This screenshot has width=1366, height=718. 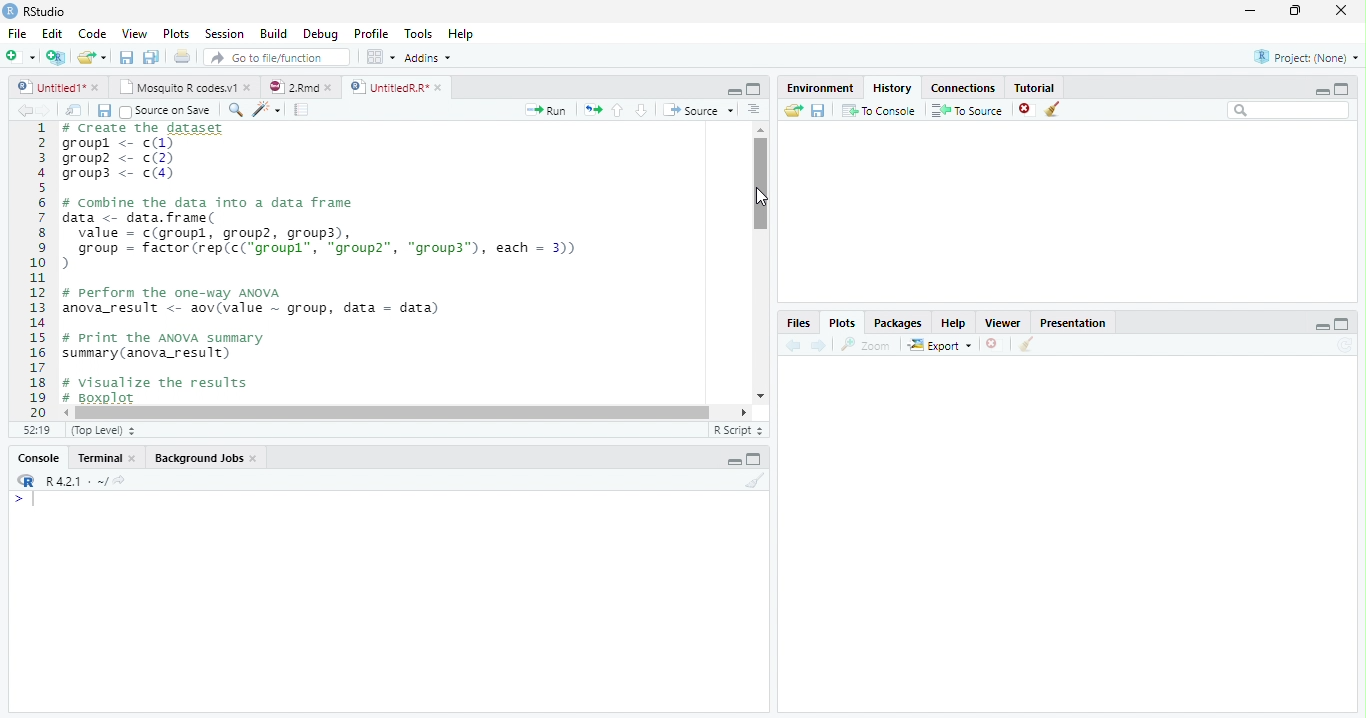 What do you see at coordinates (1289, 111) in the screenshot?
I see `Search` at bounding box center [1289, 111].